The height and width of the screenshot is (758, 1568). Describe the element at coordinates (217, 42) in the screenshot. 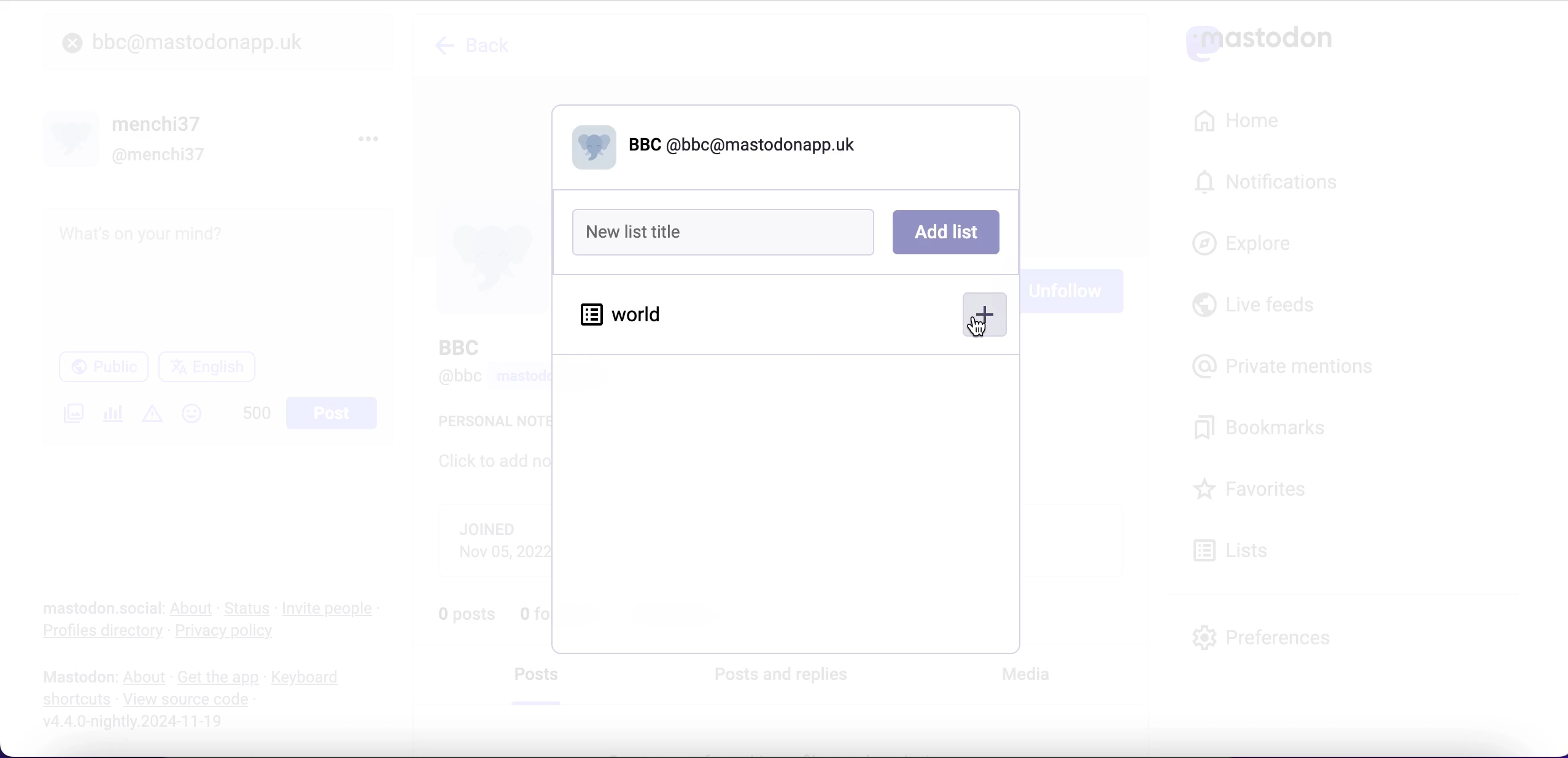

I see `user search` at that location.